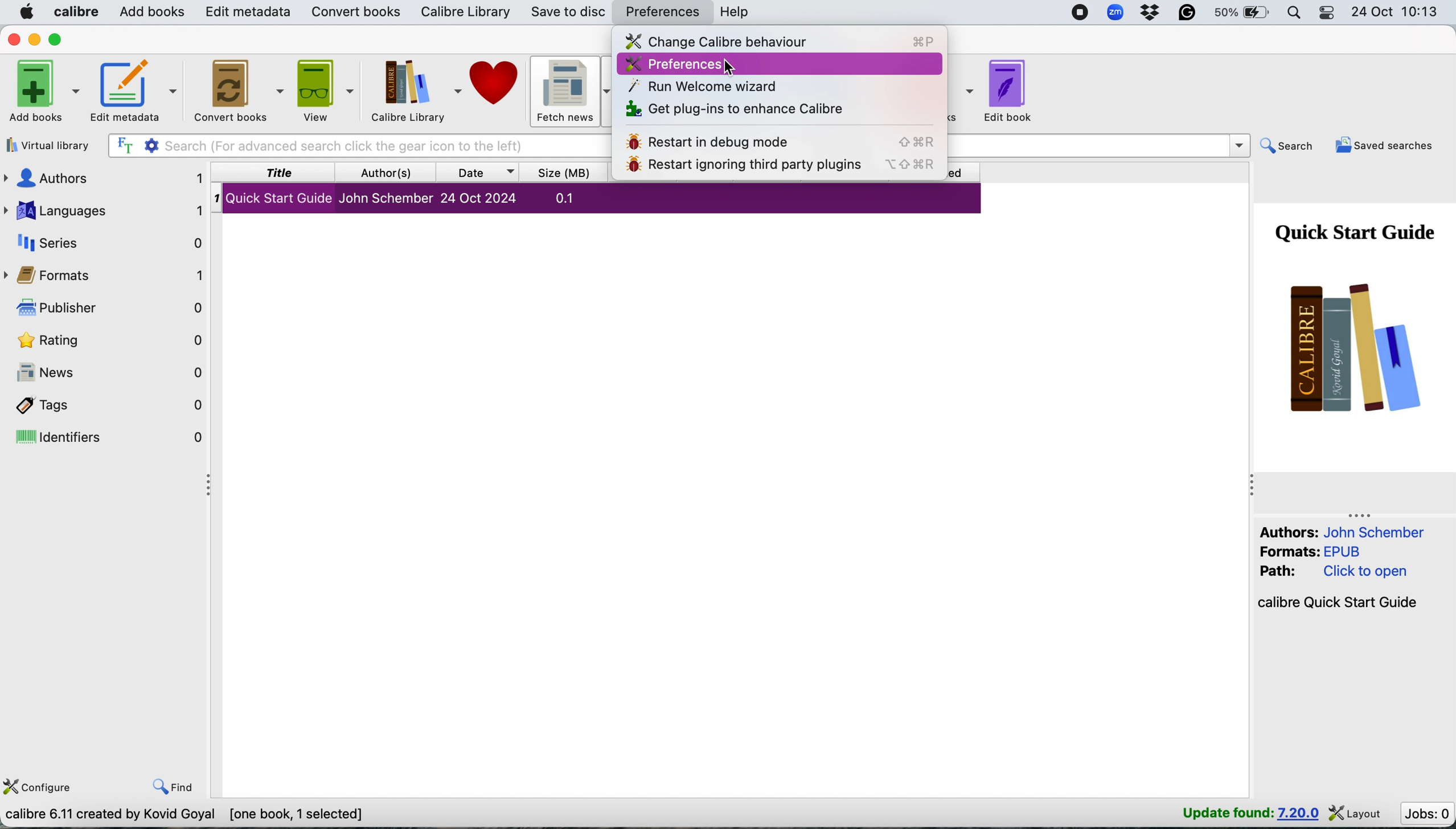 The width and height of the screenshot is (1456, 829). Describe the element at coordinates (411, 93) in the screenshot. I see `calibre library` at that location.